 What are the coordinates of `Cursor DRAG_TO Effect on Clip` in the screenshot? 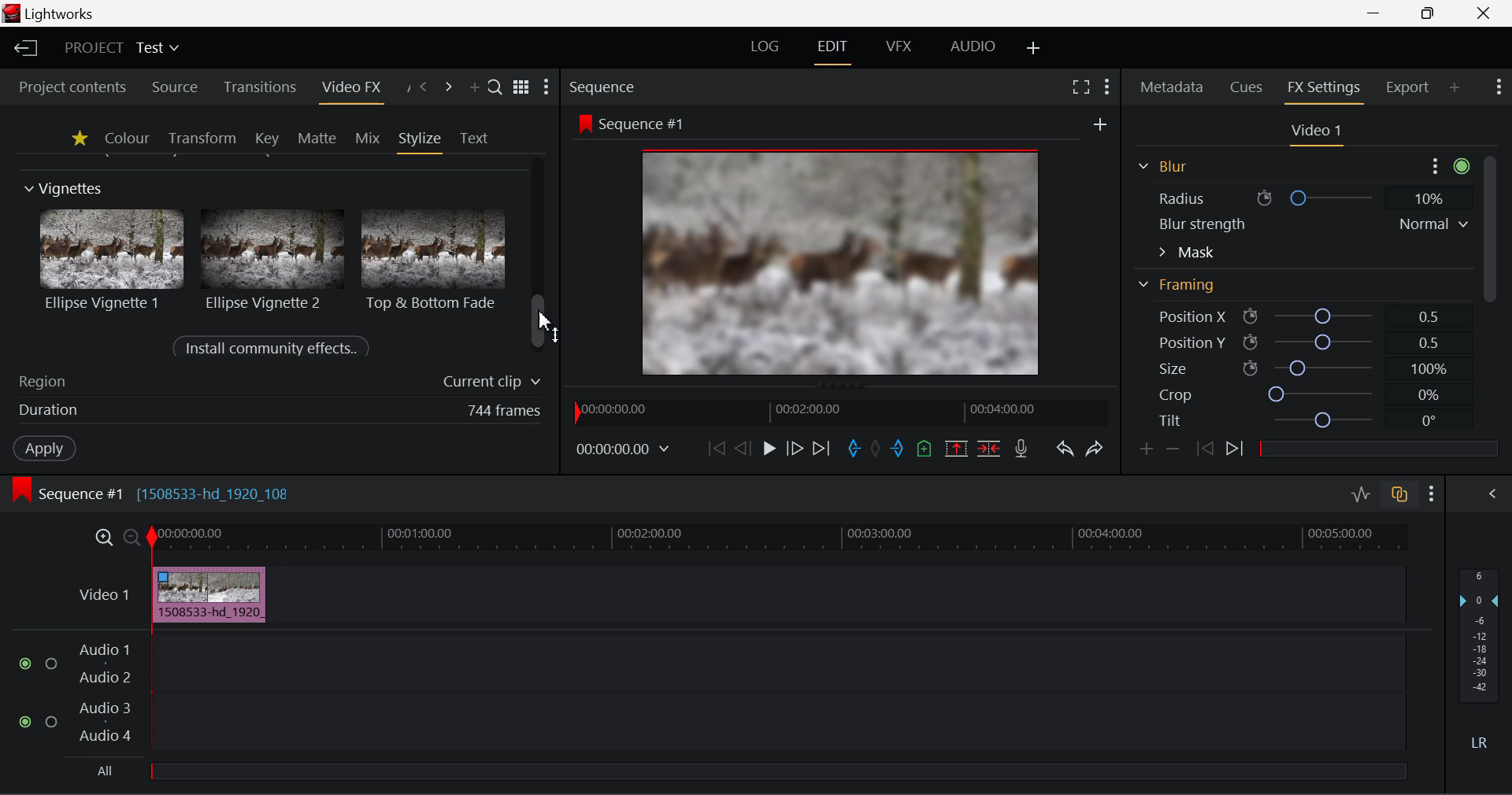 It's located at (209, 595).